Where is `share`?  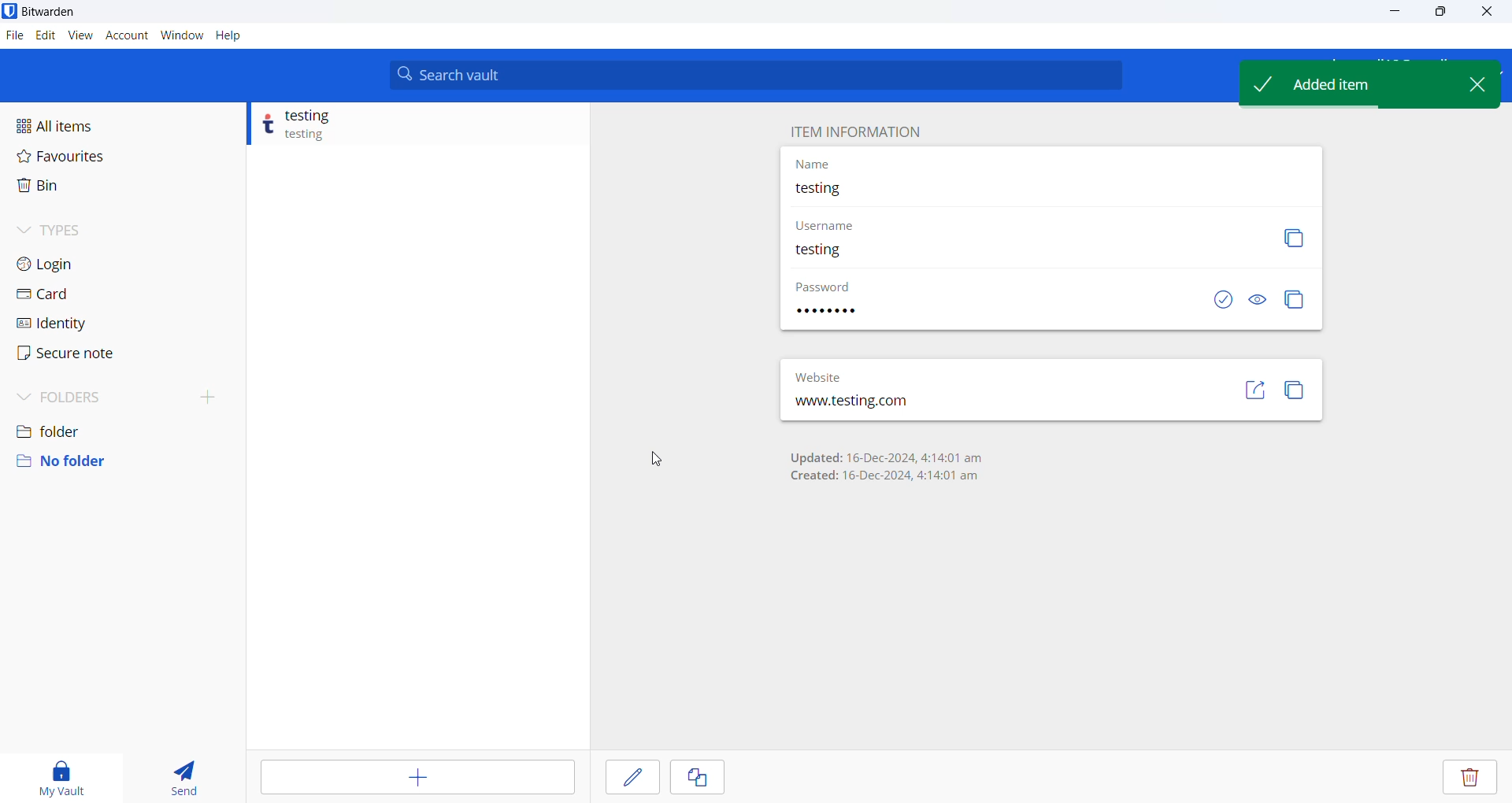
share is located at coordinates (1256, 394).